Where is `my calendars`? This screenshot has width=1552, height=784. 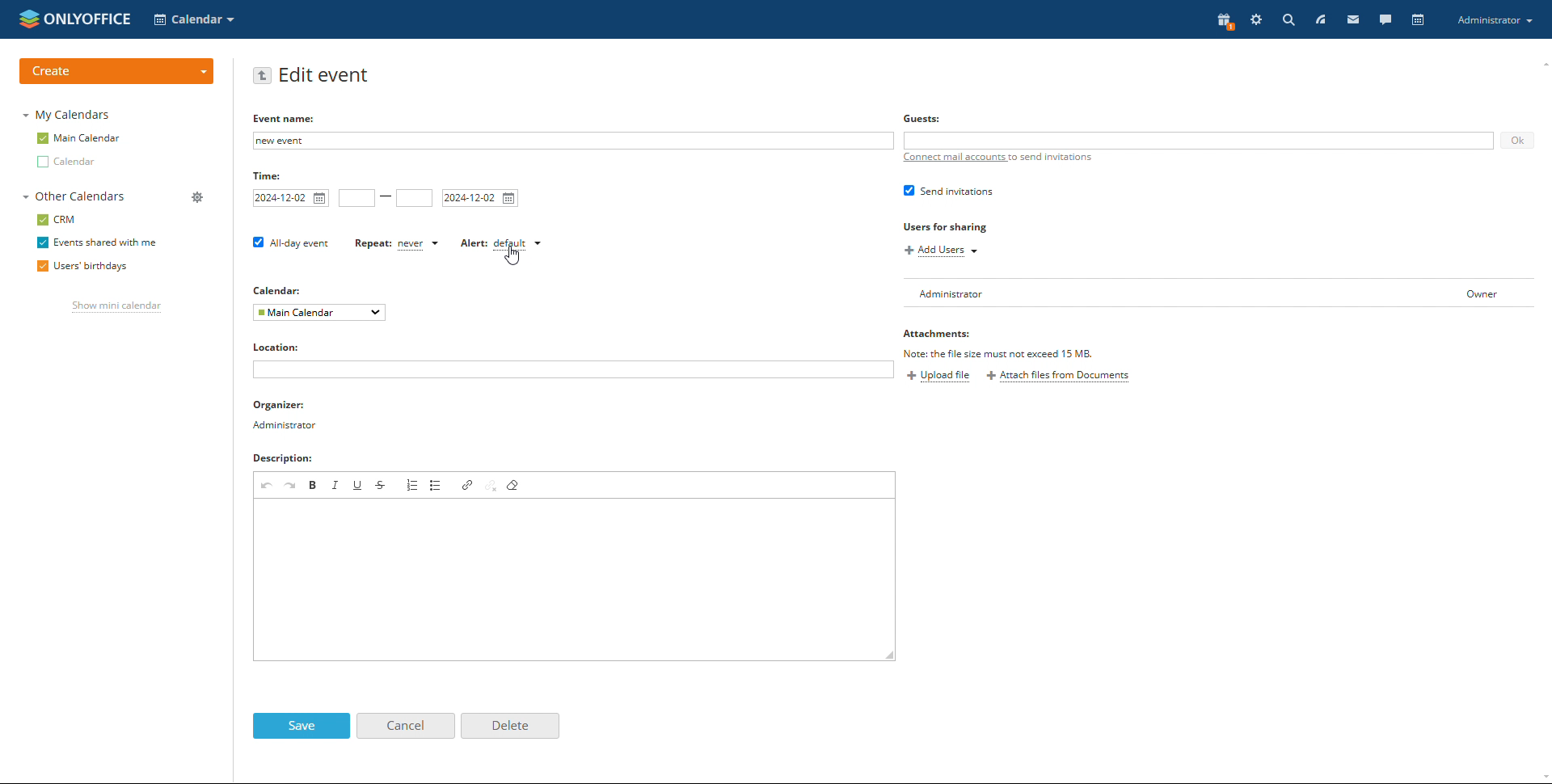 my calendars is located at coordinates (70, 115).